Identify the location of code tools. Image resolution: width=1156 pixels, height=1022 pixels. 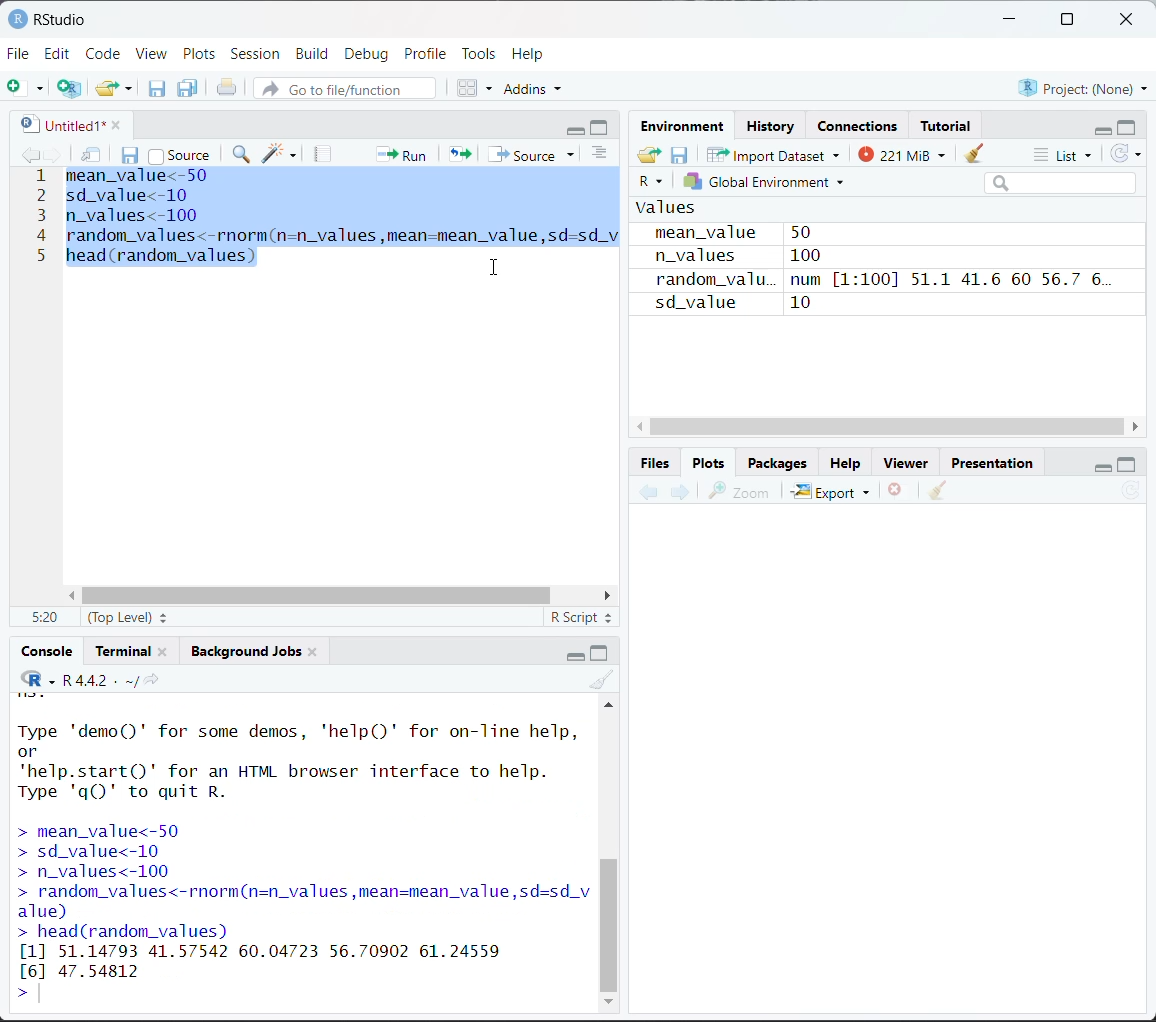
(280, 153).